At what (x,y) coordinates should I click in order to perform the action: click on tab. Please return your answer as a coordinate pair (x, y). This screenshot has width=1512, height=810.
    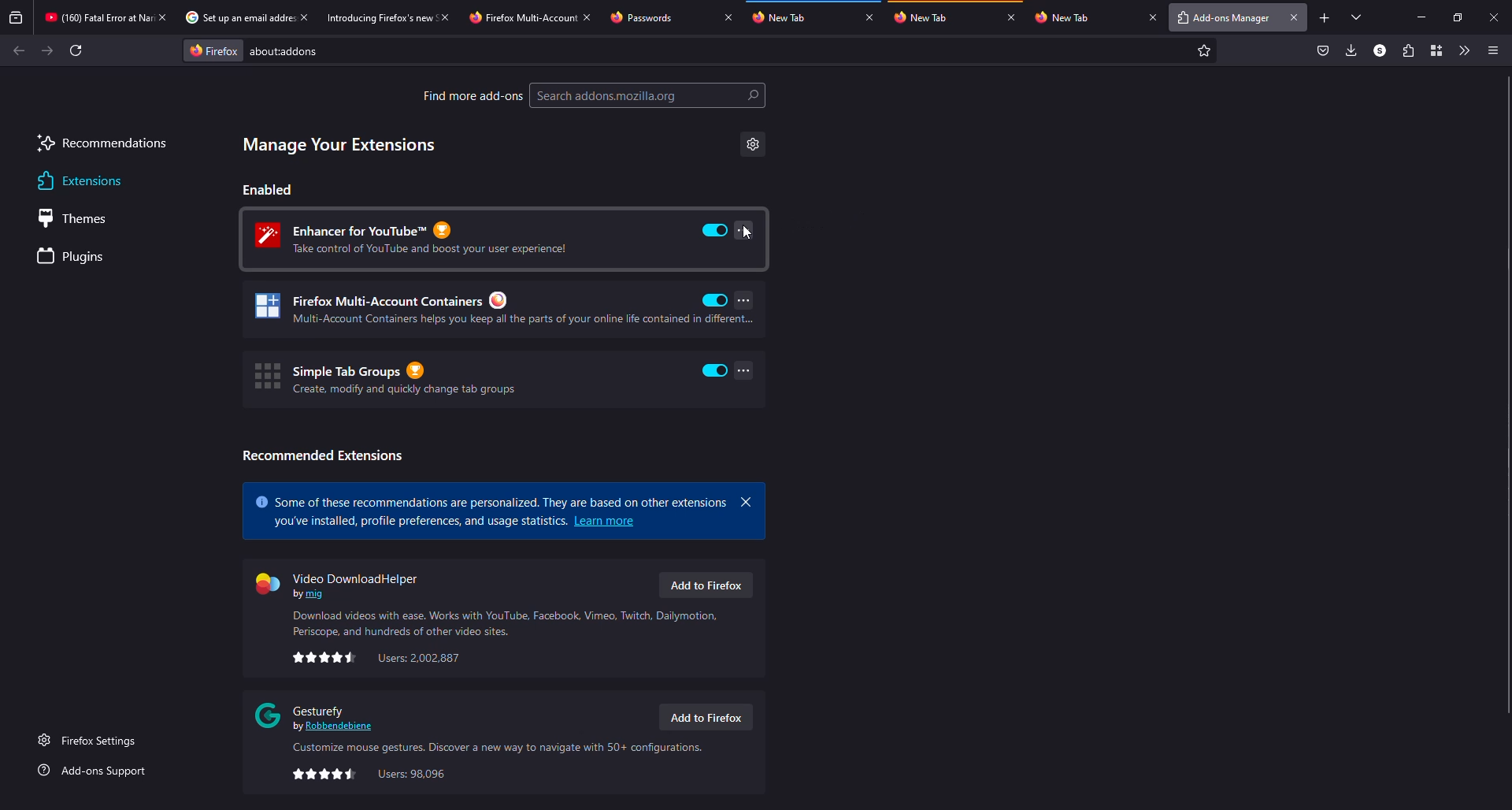
    Looking at the image, I should click on (1085, 17).